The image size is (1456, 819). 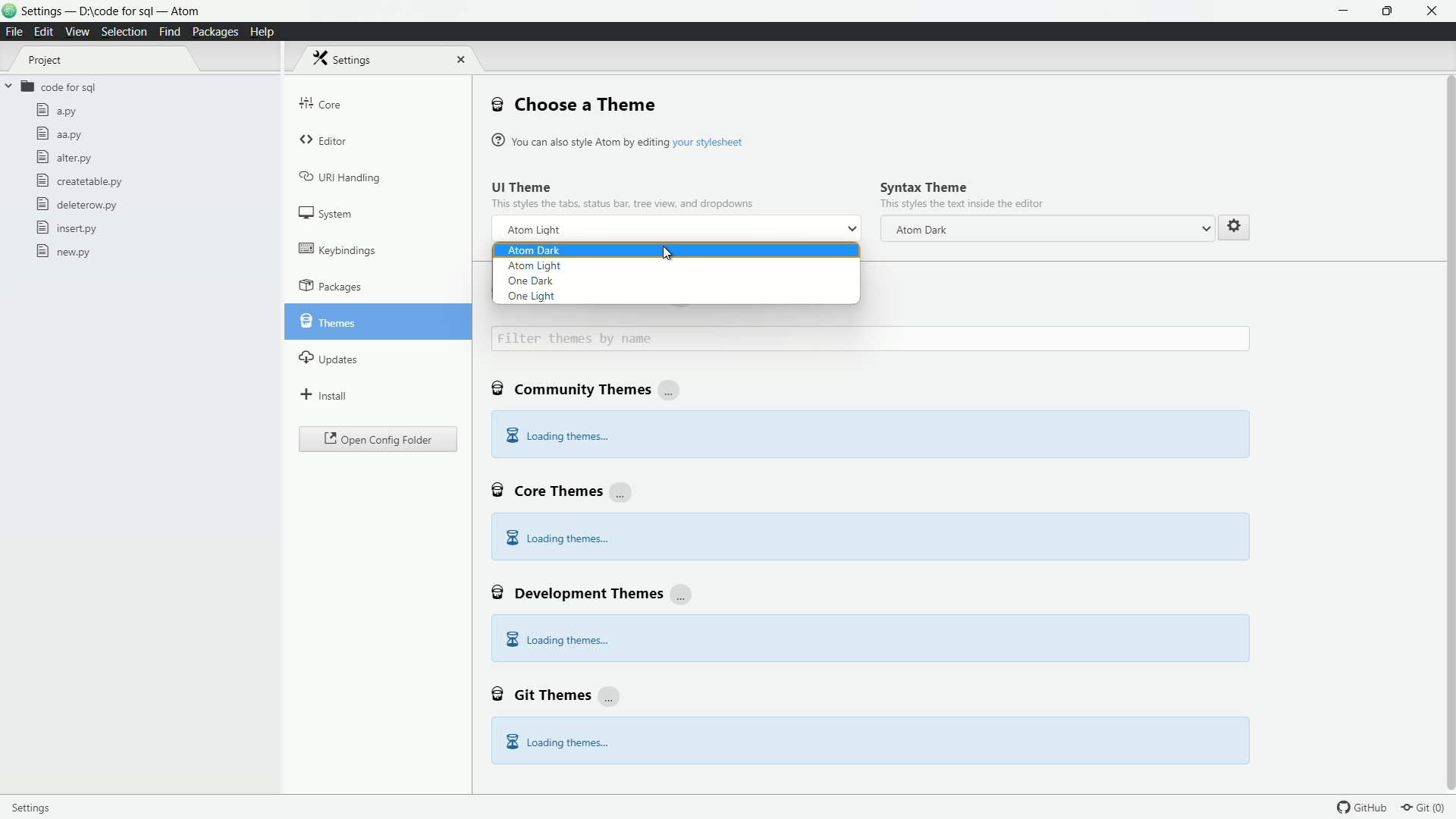 I want to click on settings, so click(x=347, y=58).